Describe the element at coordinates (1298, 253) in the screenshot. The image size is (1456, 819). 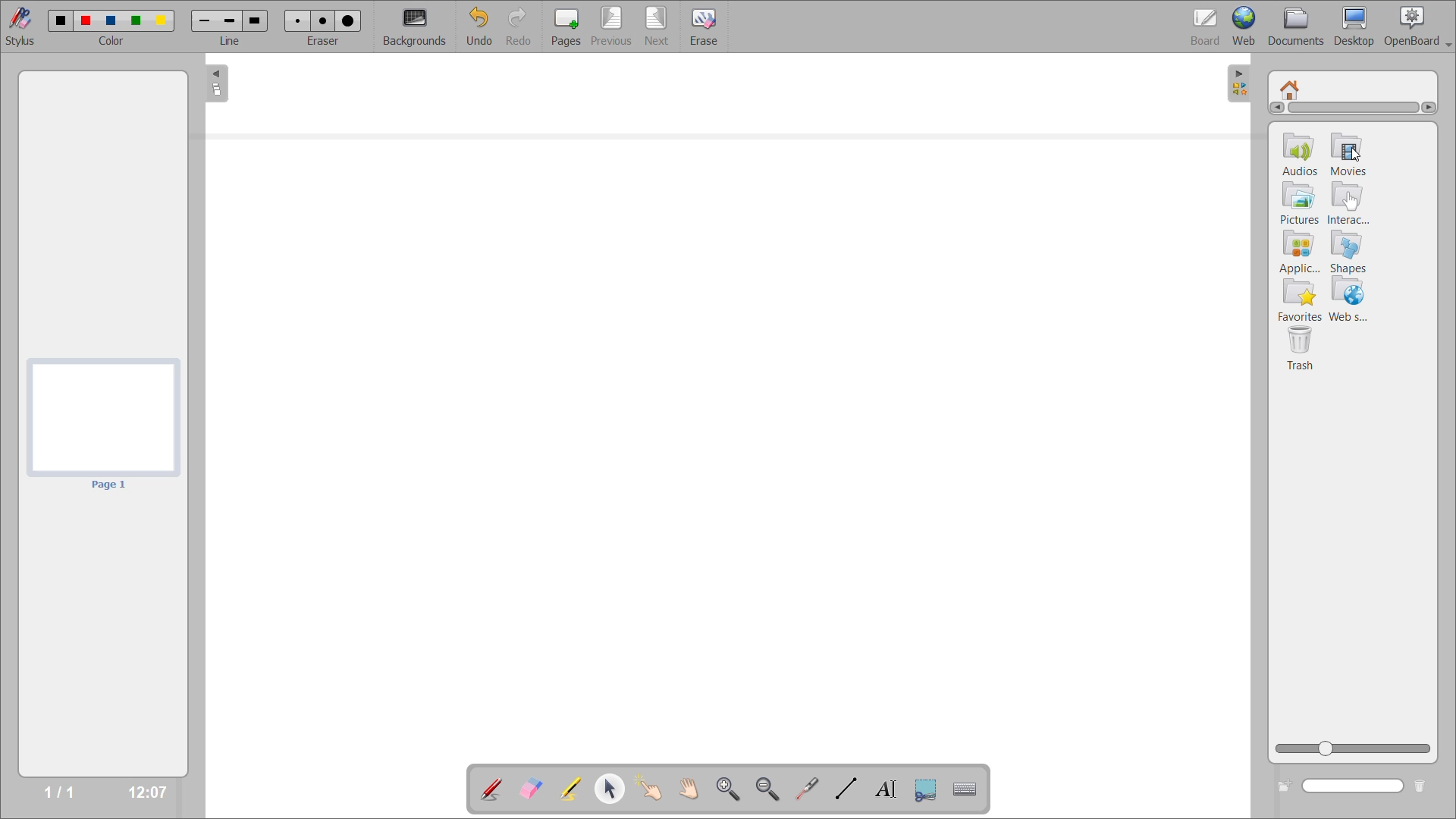
I see `applications` at that location.